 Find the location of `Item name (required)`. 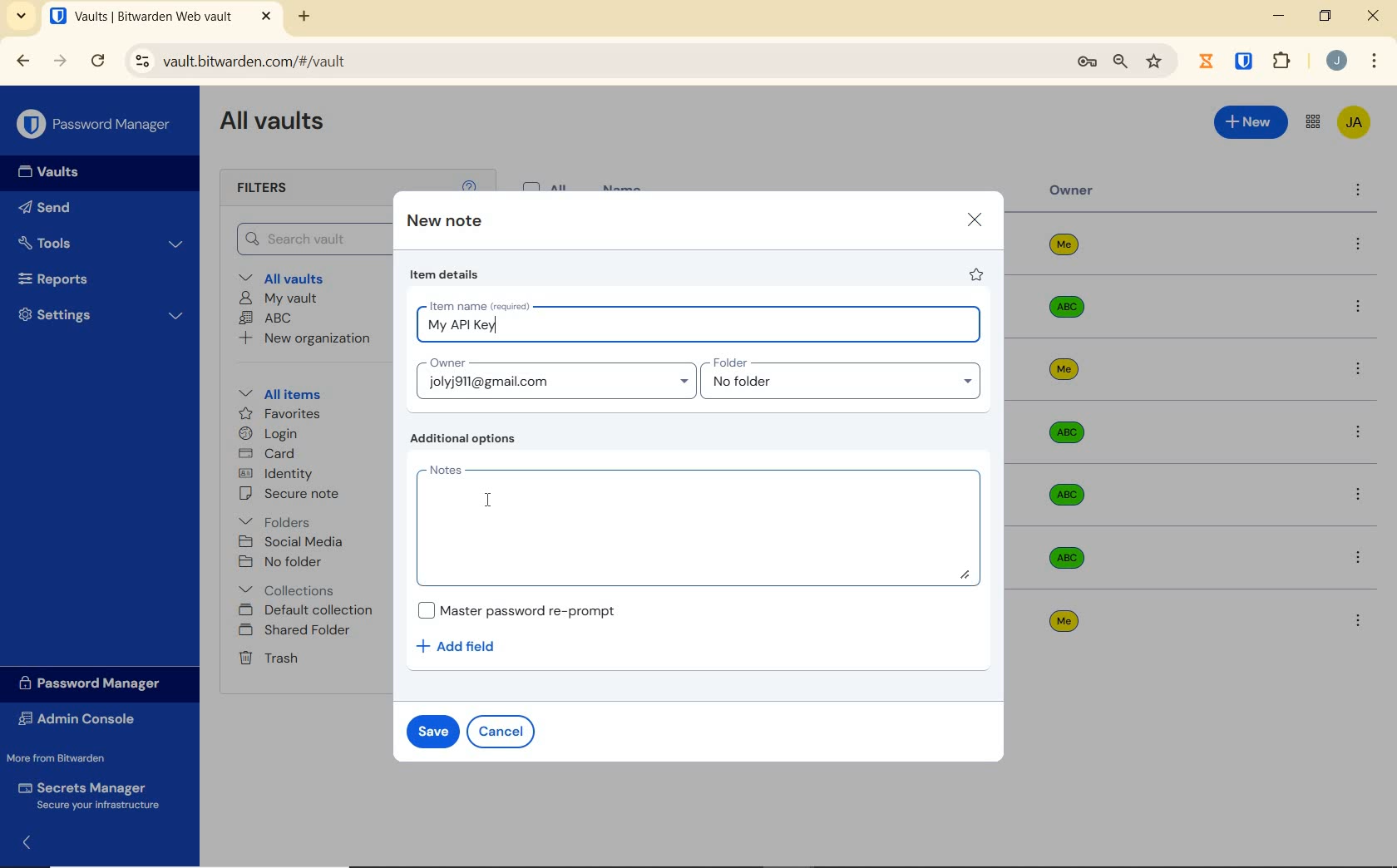

Item name (required) is located at coordinates (478, 303).